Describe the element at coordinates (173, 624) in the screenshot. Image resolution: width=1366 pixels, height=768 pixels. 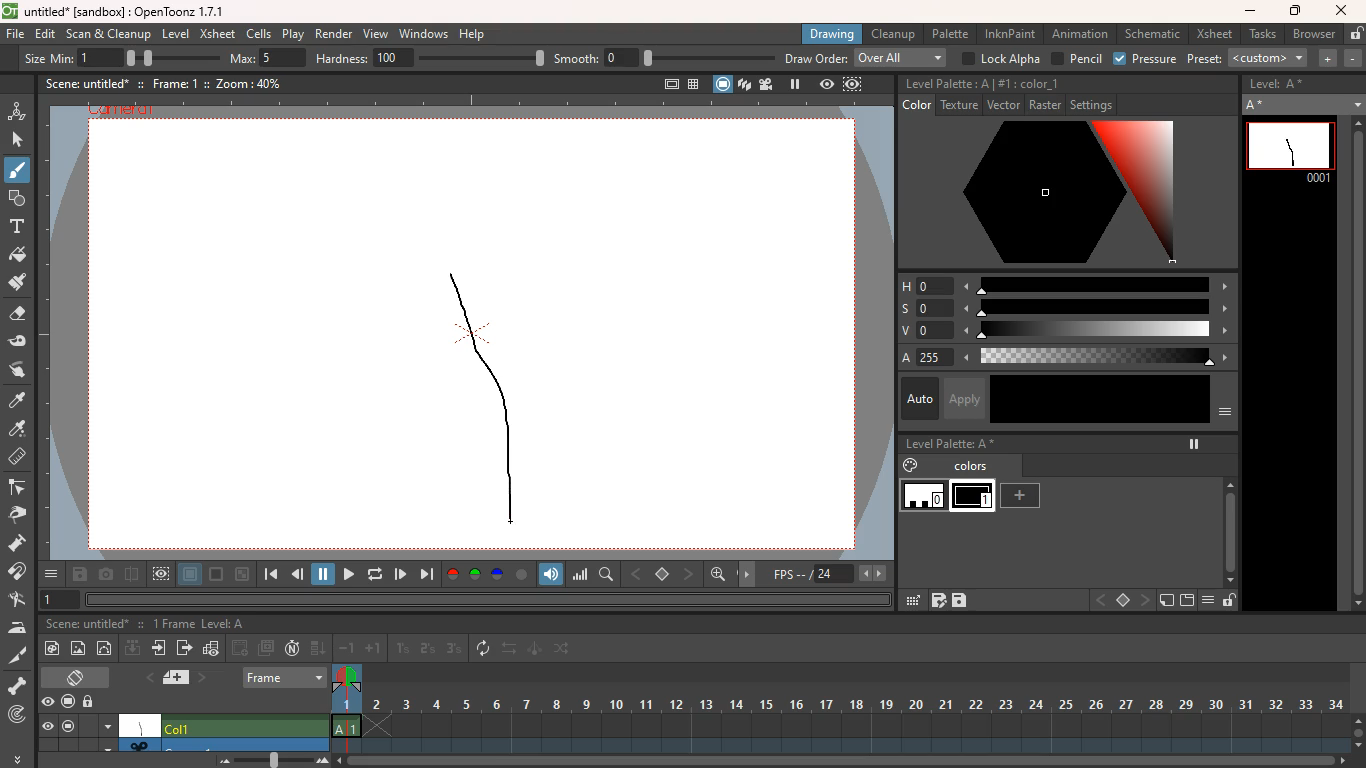
I see `0 Frames` at that location.